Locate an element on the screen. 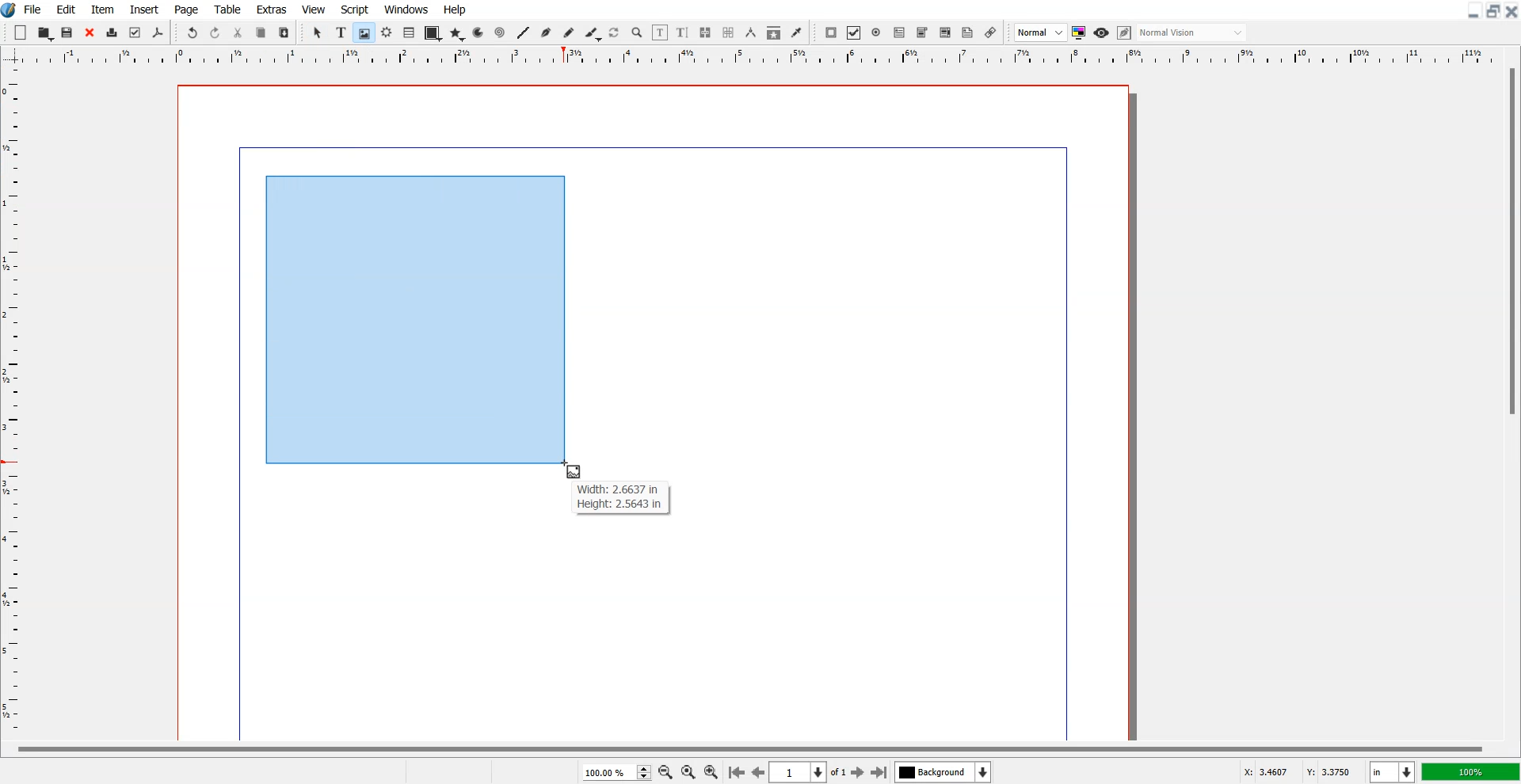 The image size is (1521, 784). Print is located at coordinates (112, 32).